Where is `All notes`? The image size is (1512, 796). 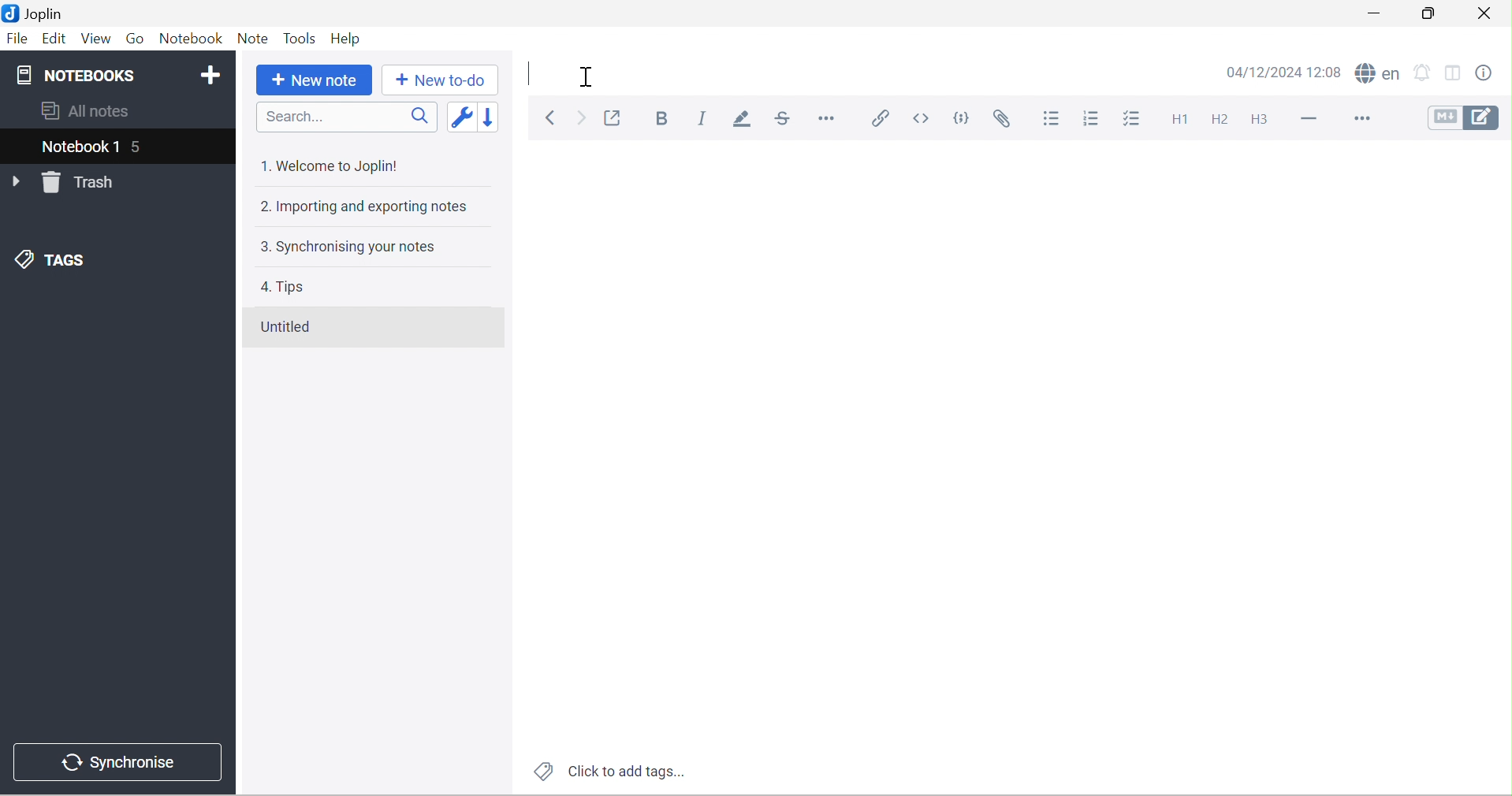 All notes is located at coordinates (86, 111).